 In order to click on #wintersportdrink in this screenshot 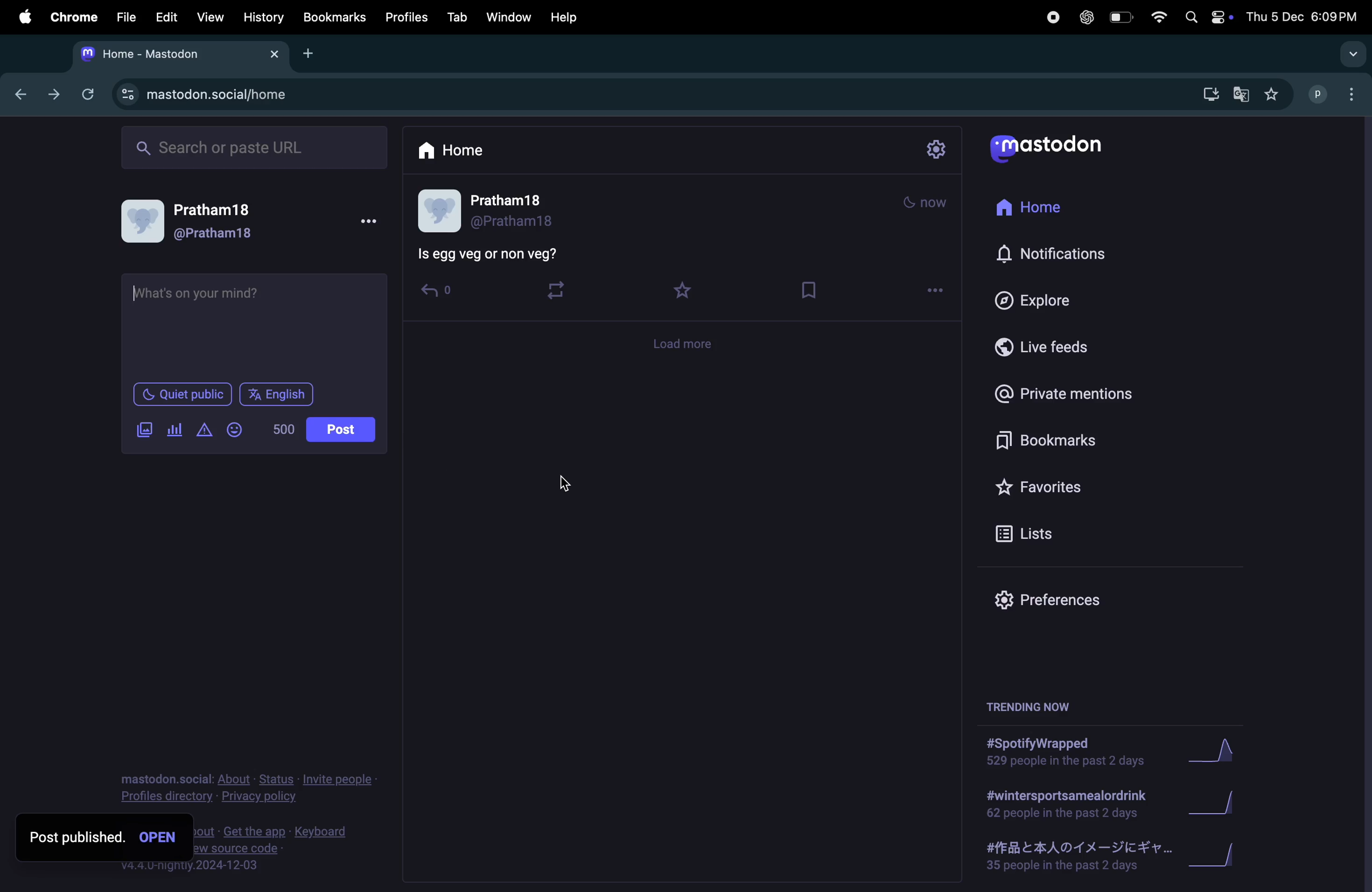, I will do `click(1067, 804)`.